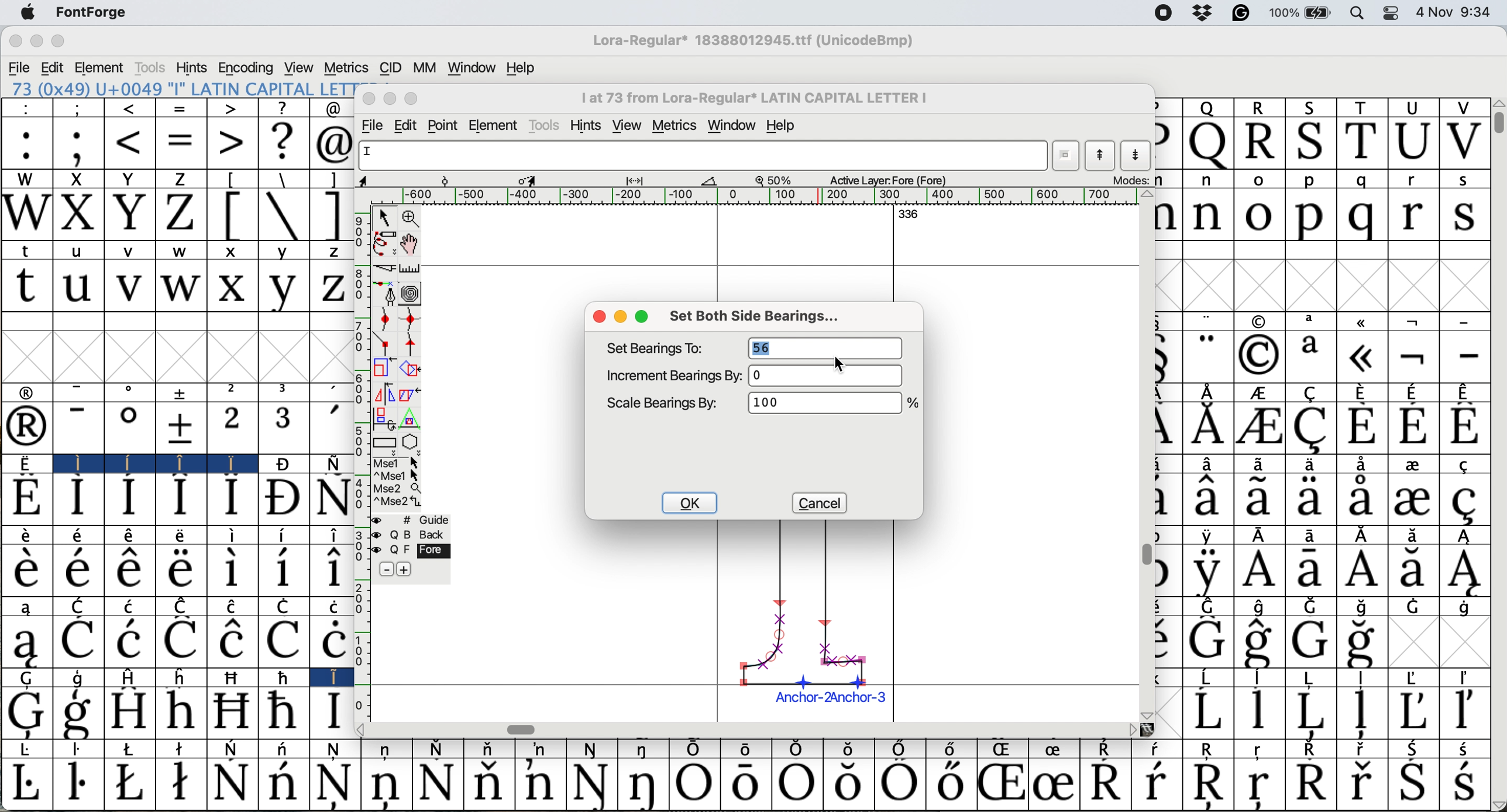  Describe the element at coordinates (193, 68) in the screenshot. I see `hints` at that location.